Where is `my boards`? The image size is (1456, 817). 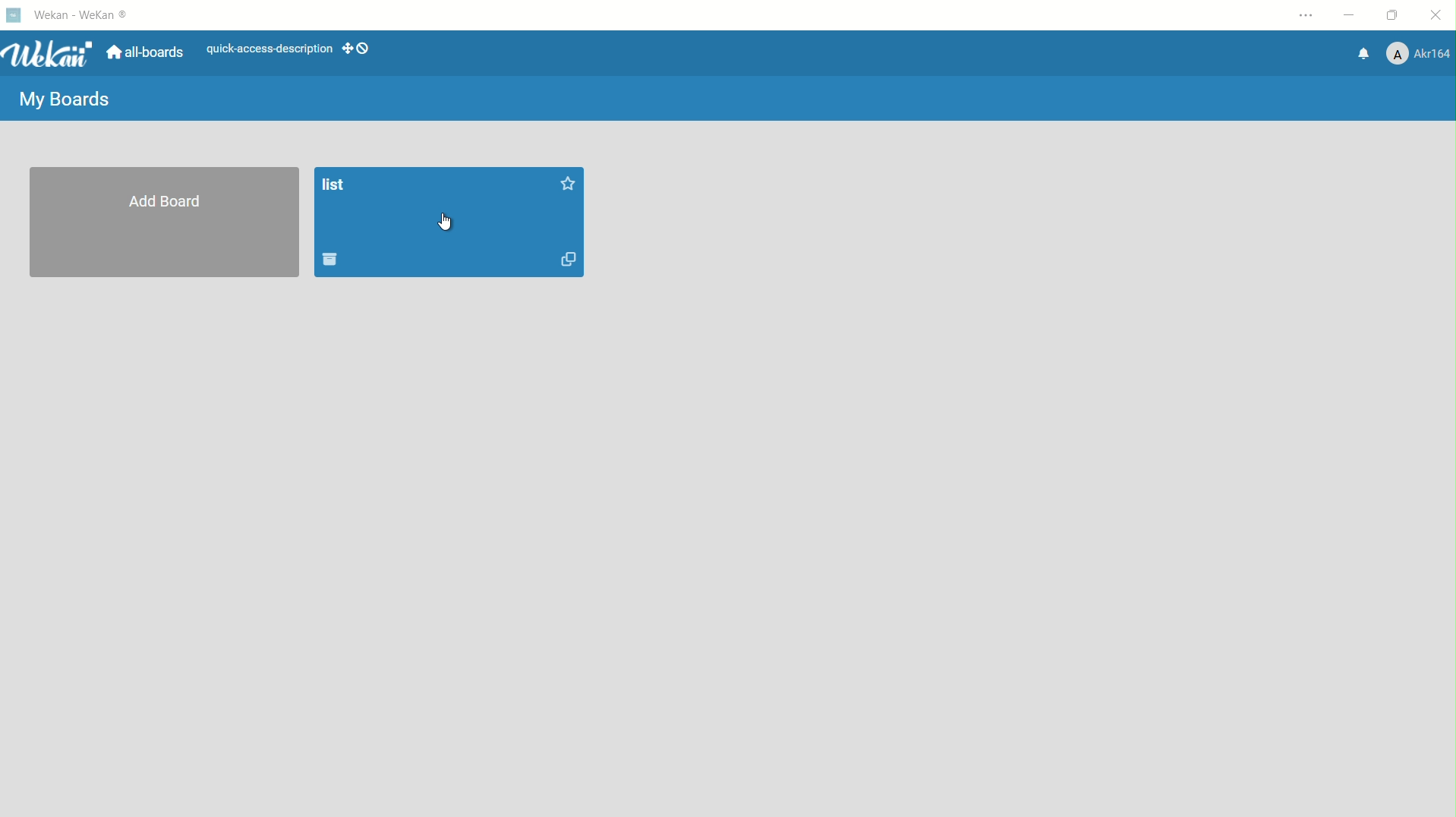
my boards is located at coordinates (68, 99).